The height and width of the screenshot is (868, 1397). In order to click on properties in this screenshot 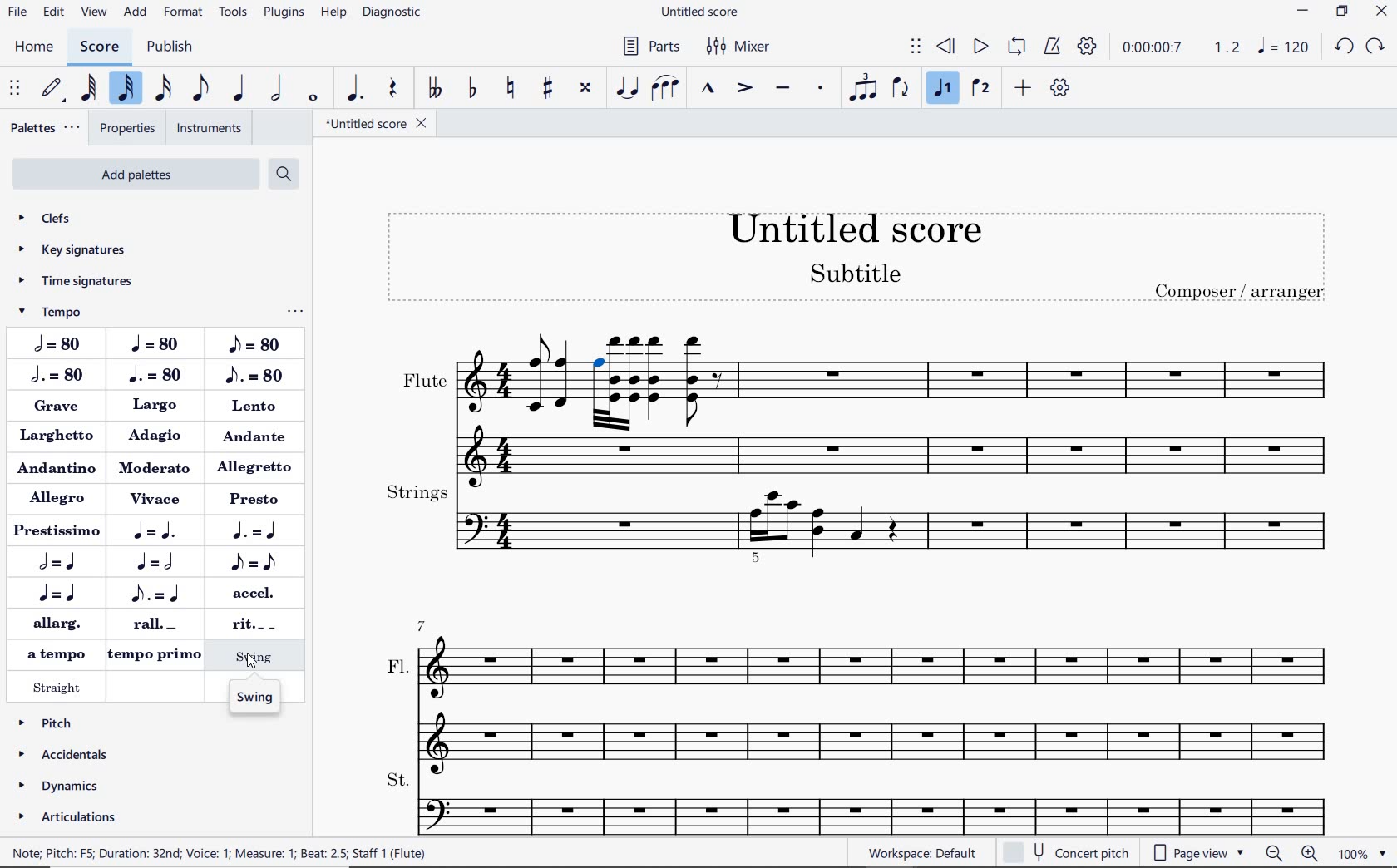, I will do `click(126, 128)`.